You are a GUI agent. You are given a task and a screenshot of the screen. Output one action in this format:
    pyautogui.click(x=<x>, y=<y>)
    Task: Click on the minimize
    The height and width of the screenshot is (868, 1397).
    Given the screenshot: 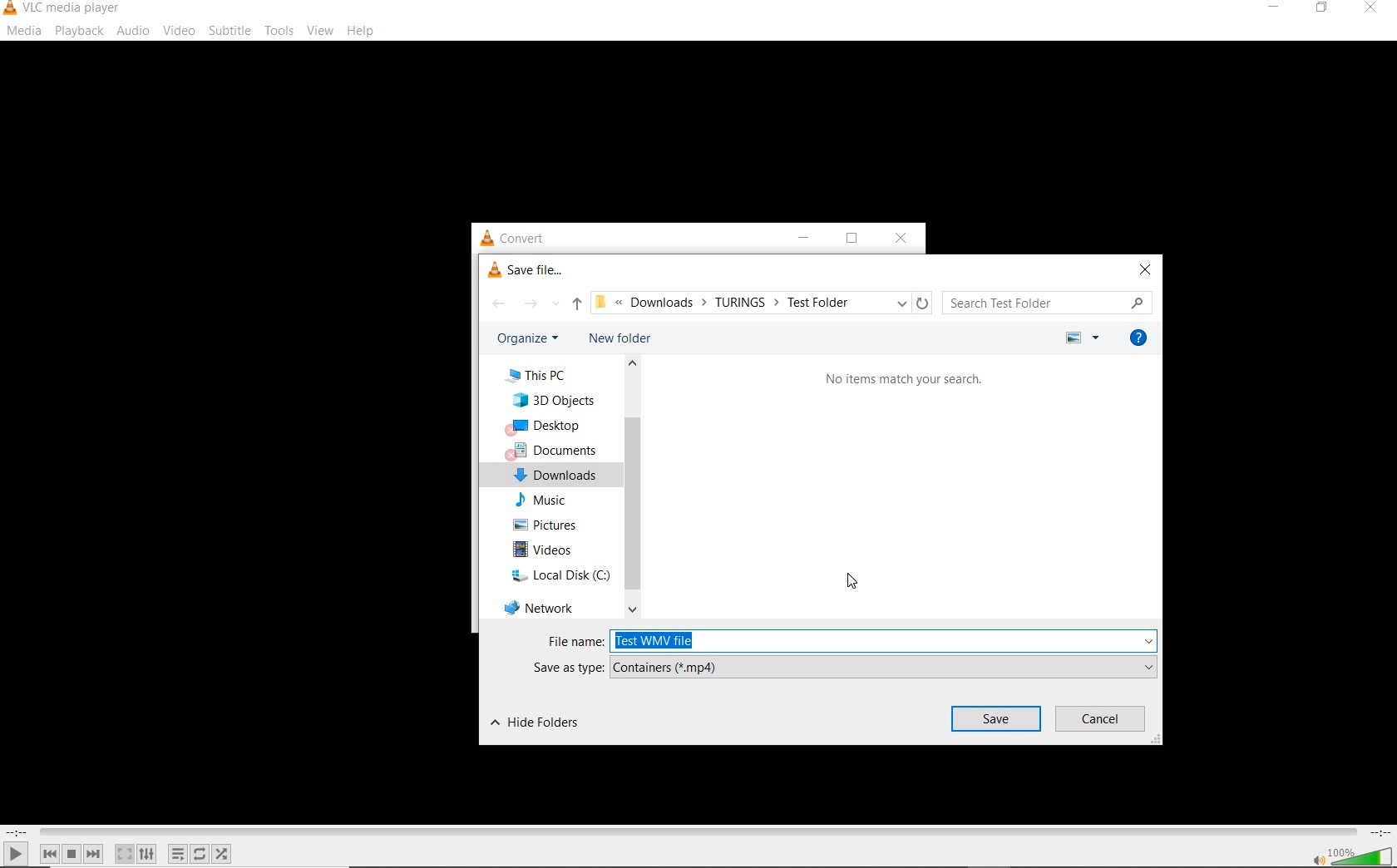 What is the action you would take?
    pyautogui.click(x=799, y=239)
    